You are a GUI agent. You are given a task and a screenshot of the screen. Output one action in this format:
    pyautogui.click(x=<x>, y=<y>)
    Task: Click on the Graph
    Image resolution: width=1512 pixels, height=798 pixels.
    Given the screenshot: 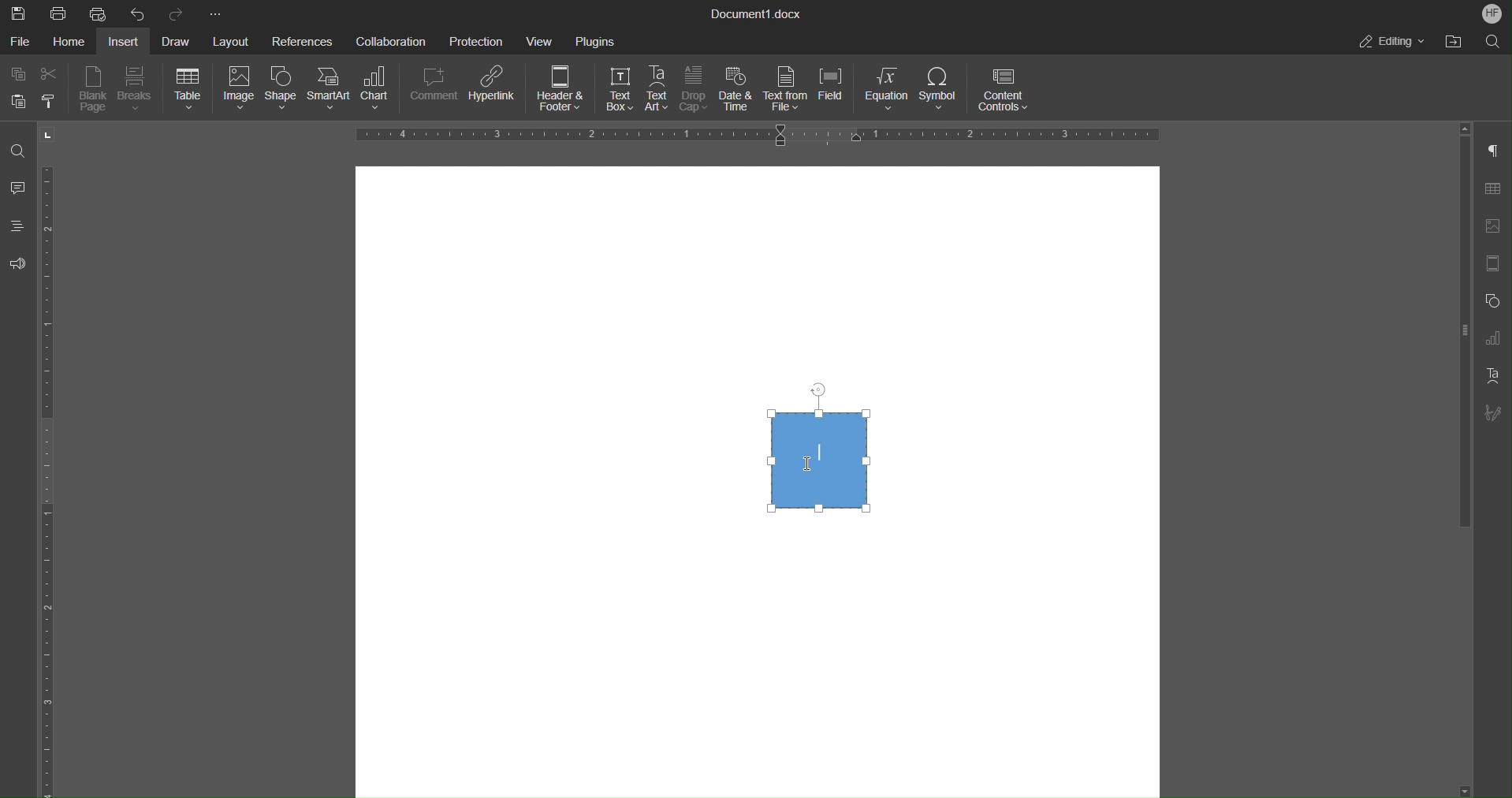 What is the action you would take?
    pyautogui.click(x=1499, y=338)
    